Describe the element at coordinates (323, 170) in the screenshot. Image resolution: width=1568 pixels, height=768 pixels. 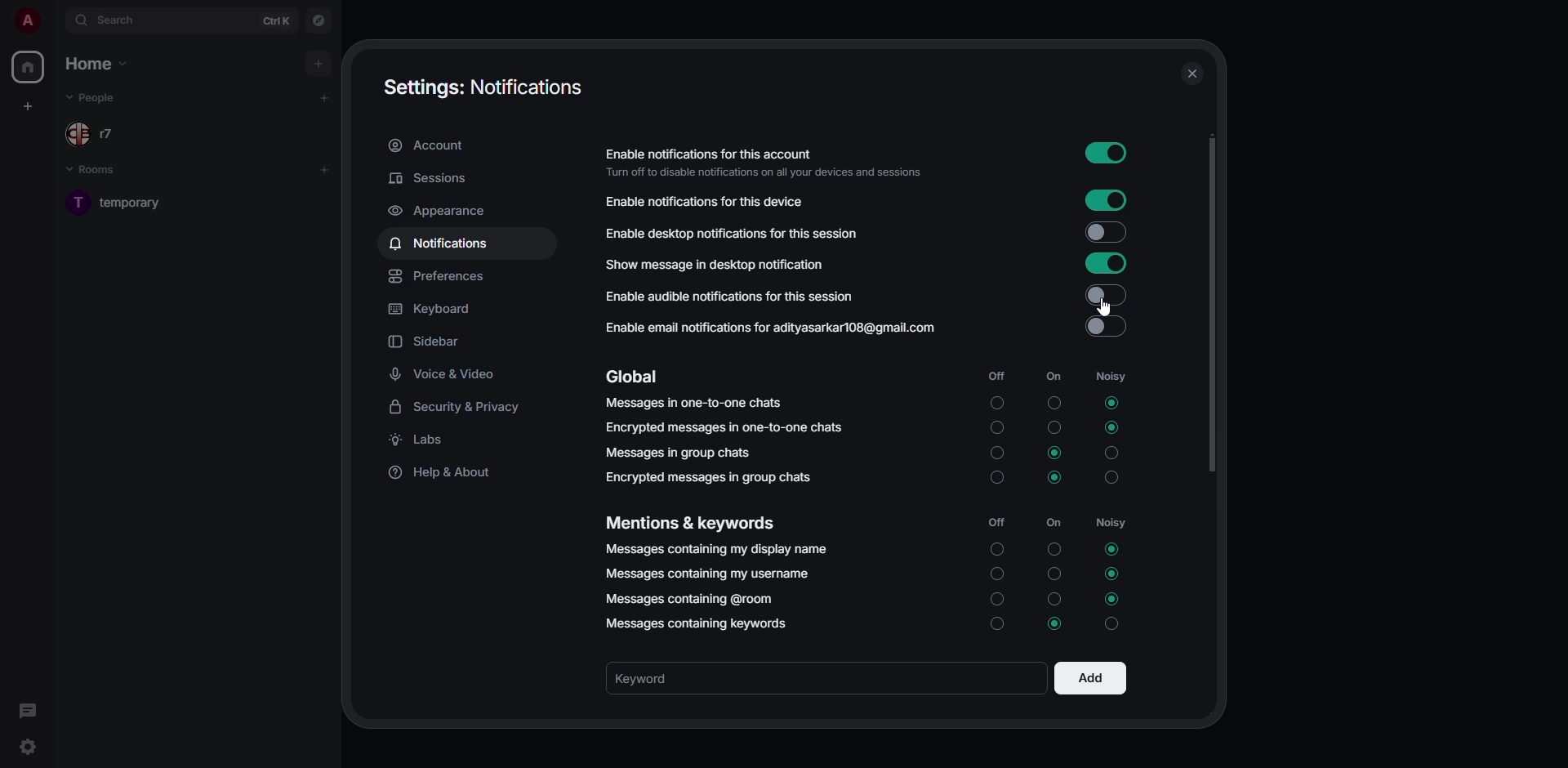
I see `add` at that location.